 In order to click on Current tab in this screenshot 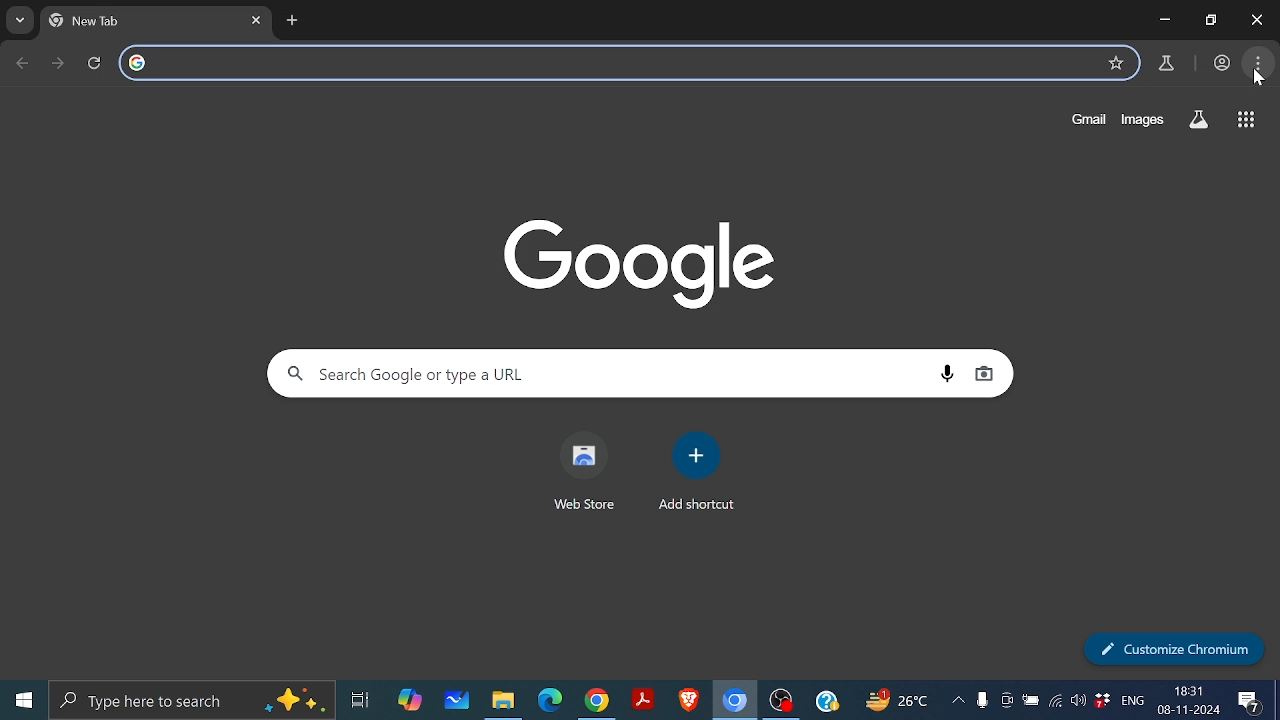, I will do `click(142, 21)`.